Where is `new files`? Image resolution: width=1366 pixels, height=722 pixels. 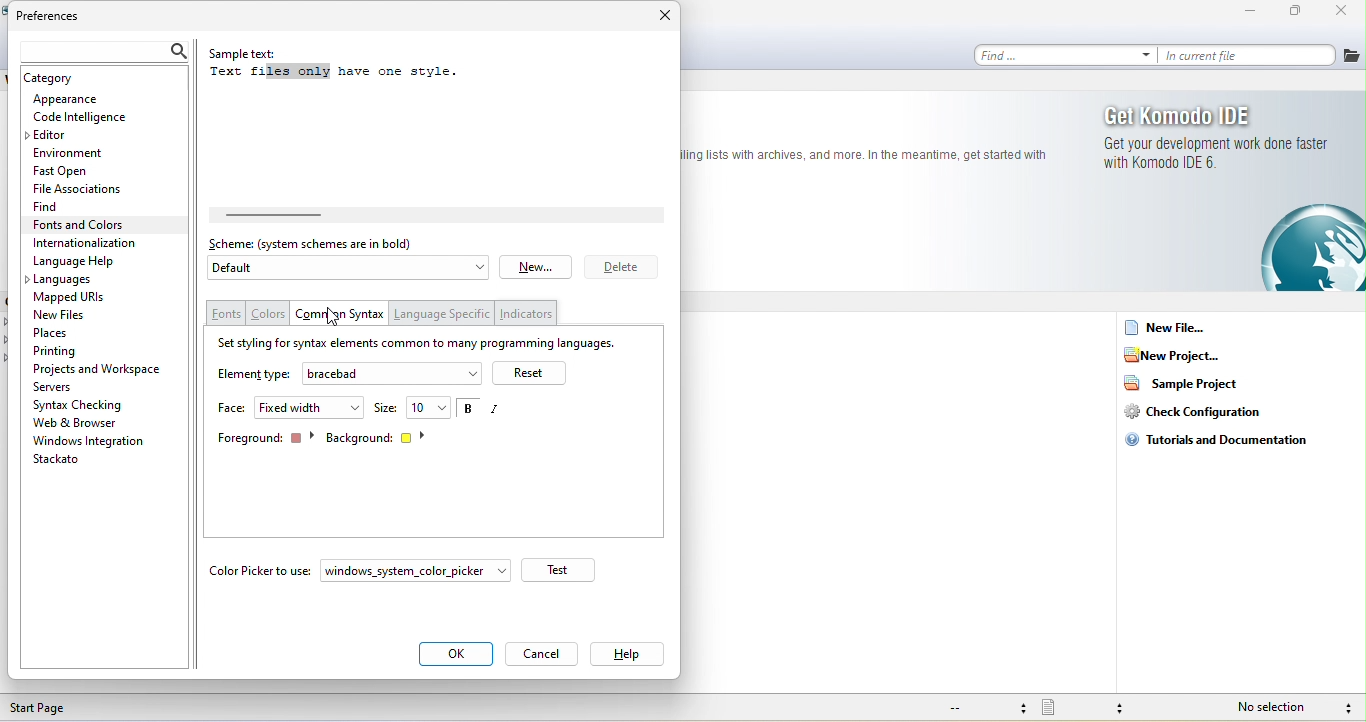
new files is located at coordinates (65, 316).